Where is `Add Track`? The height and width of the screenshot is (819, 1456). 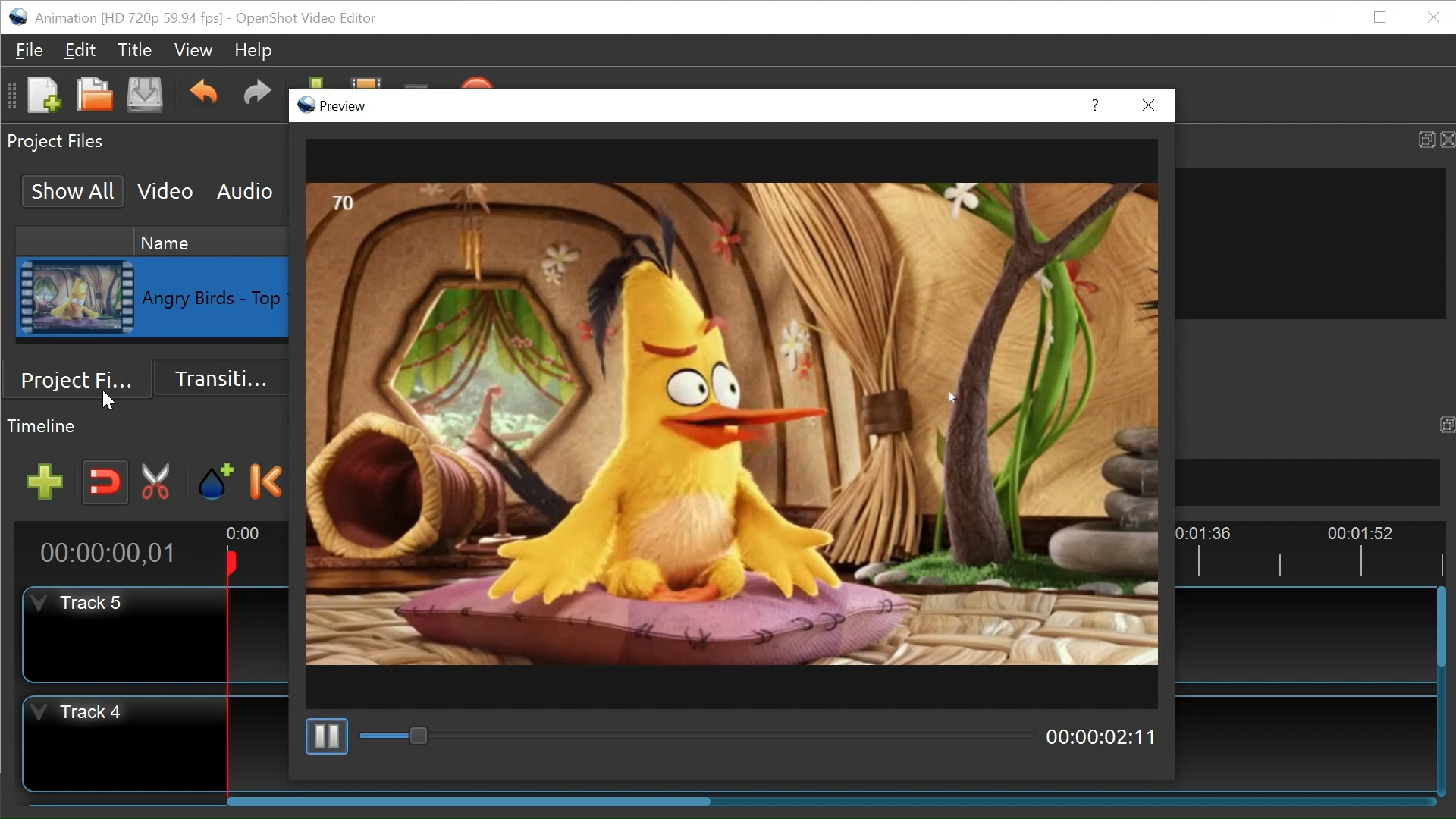
Add Track is located at coordinates (45, 482).